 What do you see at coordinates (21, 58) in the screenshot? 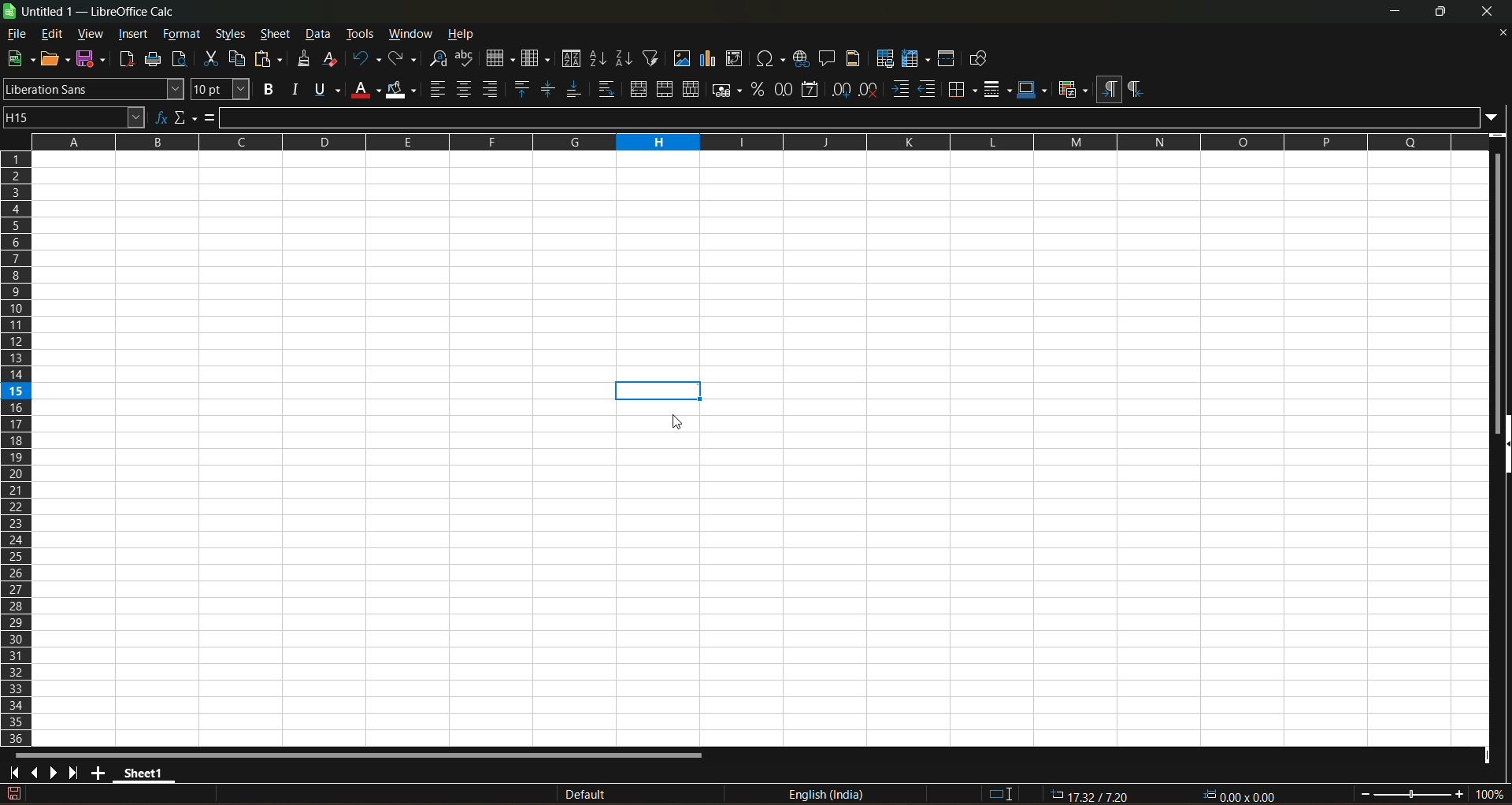
I see `new` at bounding box center [21, 58].